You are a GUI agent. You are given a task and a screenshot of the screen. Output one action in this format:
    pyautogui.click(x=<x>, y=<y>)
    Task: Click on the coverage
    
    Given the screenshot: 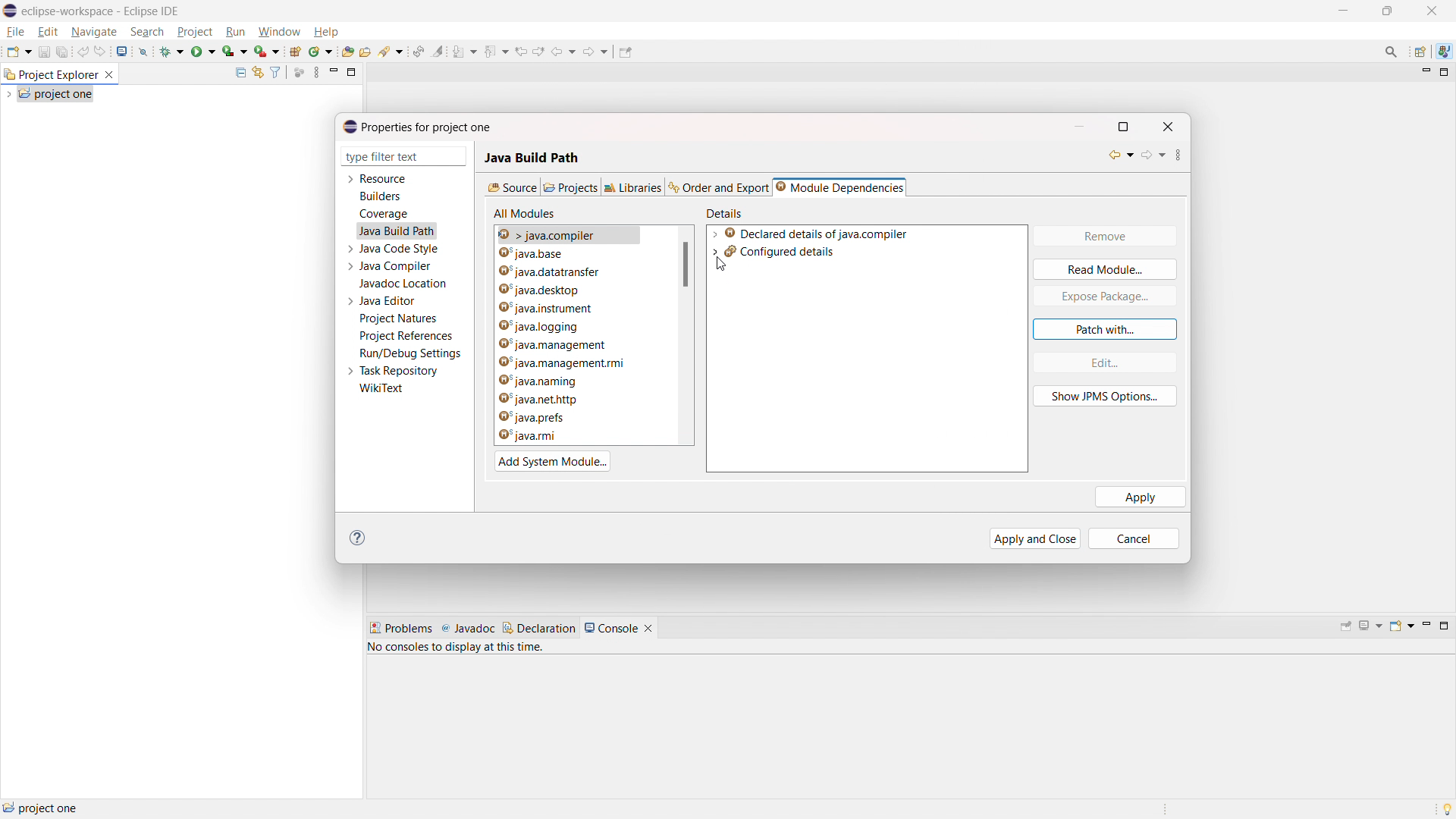 What is the action you would take?
    pyautogui.click(x=384, y=214)
    